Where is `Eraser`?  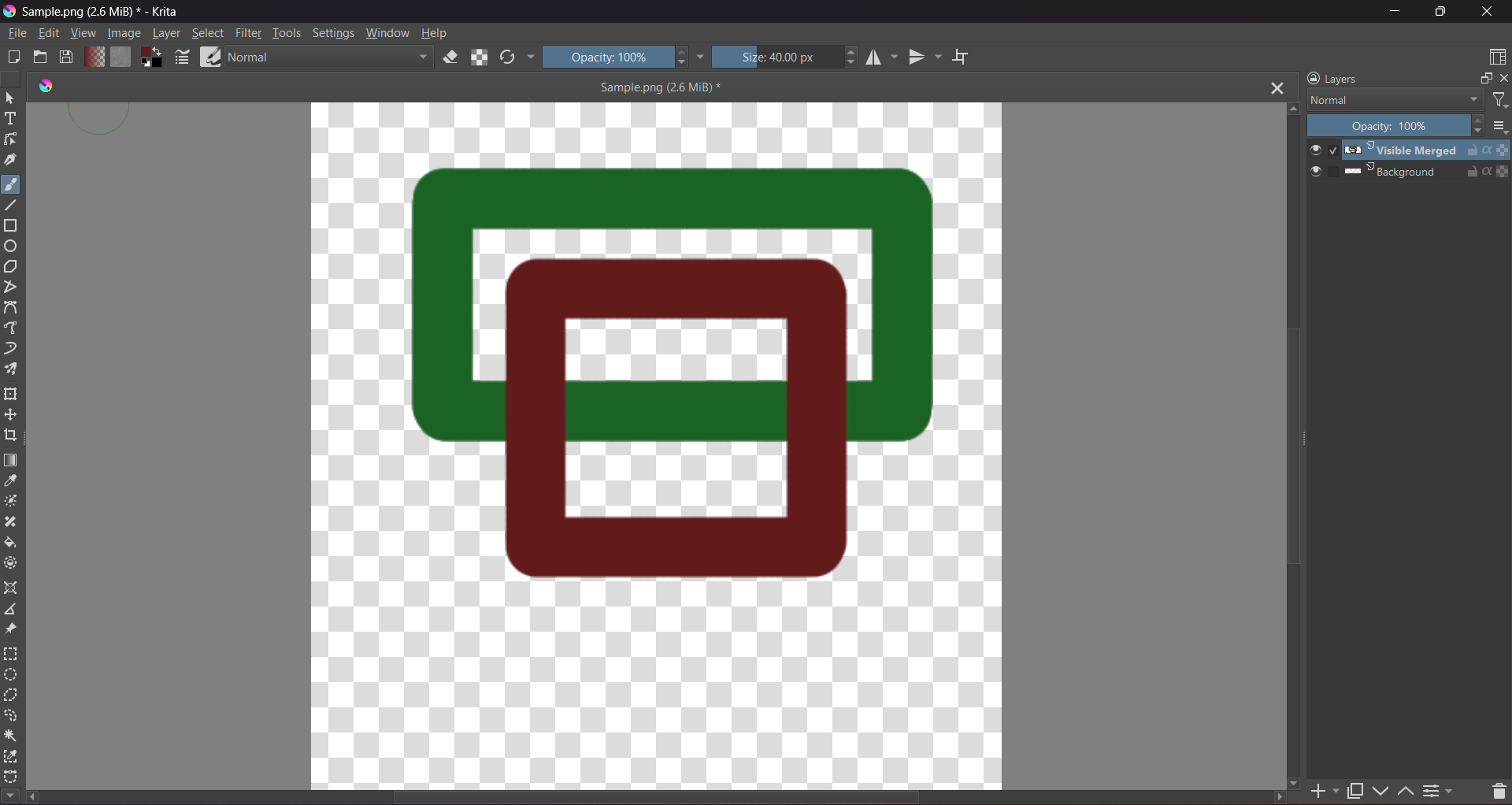 Eraser is located at coordinates (452, 58).